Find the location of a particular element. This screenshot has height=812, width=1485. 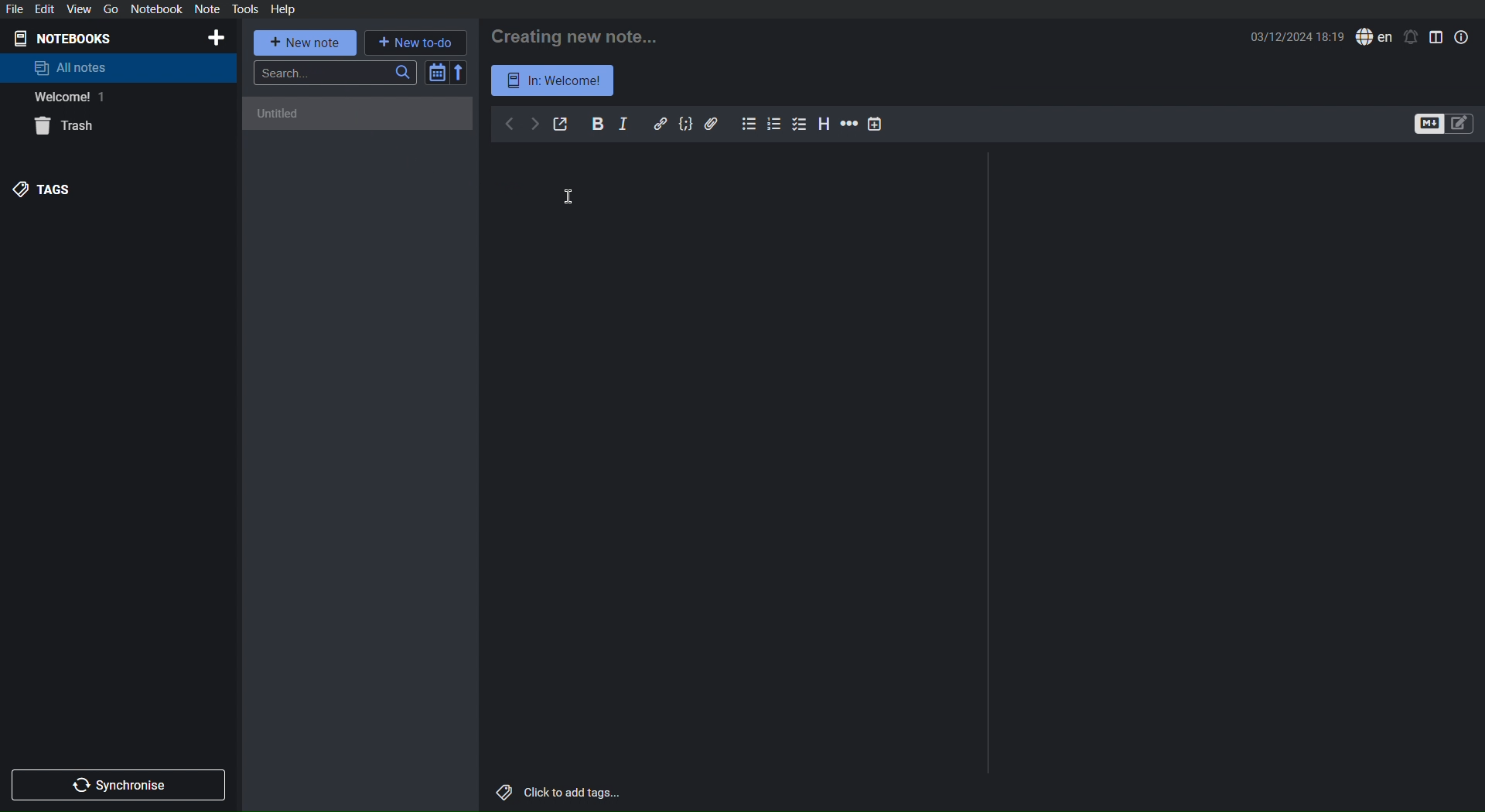

New note is located at coordinates (306, 43).